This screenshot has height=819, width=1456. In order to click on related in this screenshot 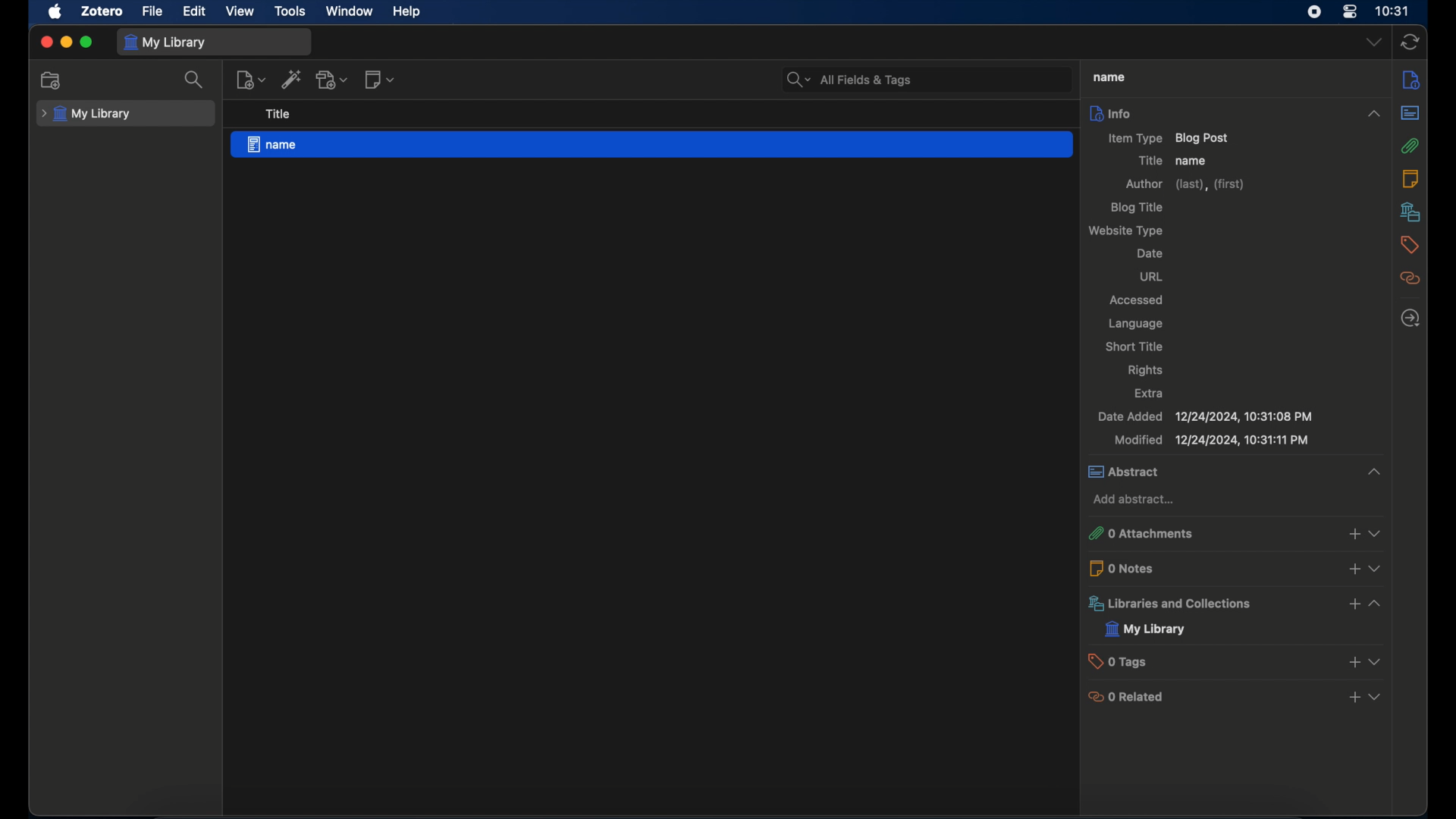, I will do `click(1411, 278)`.